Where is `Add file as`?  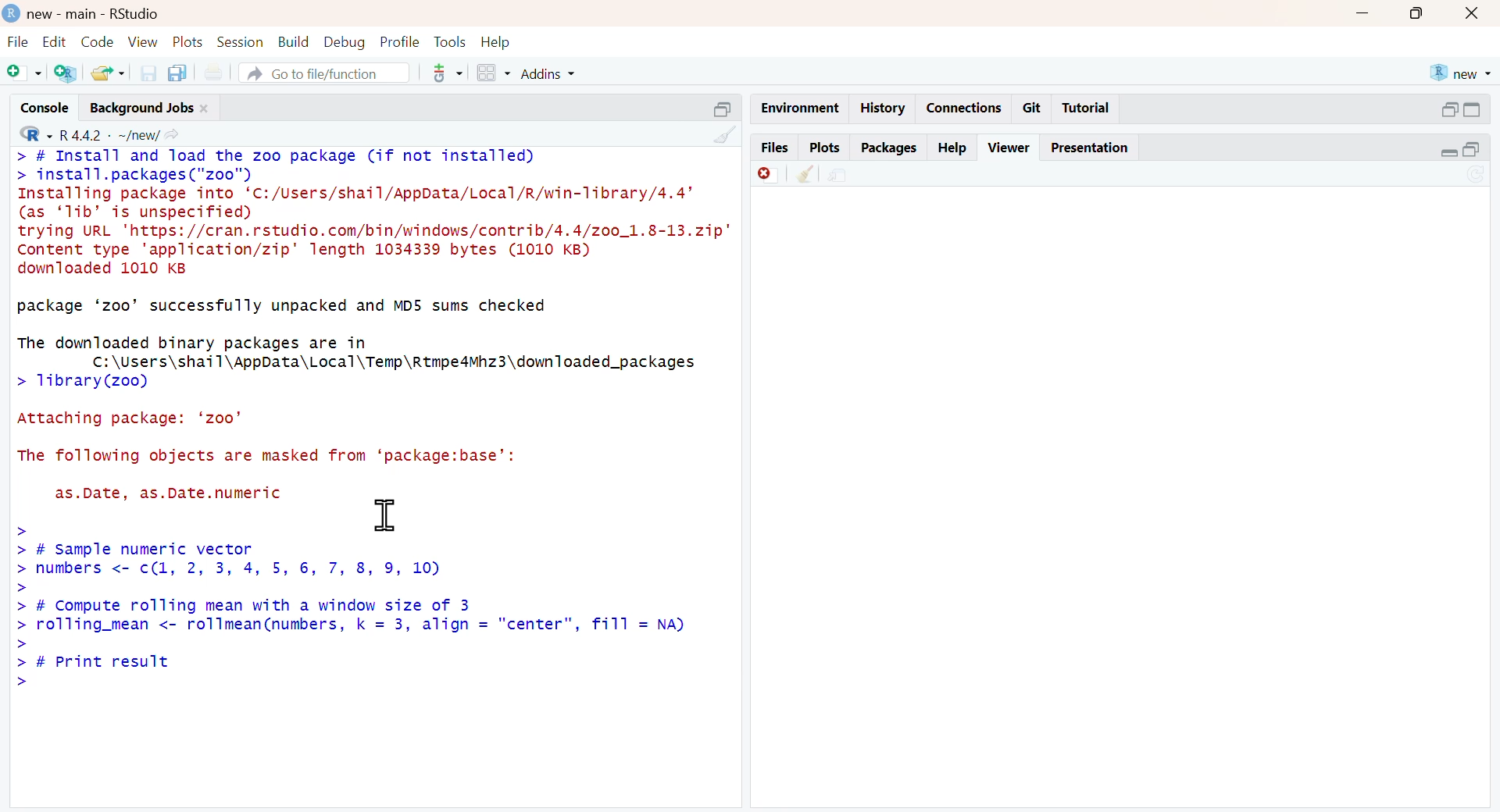 Add file as is located at coordinates (25, 73).